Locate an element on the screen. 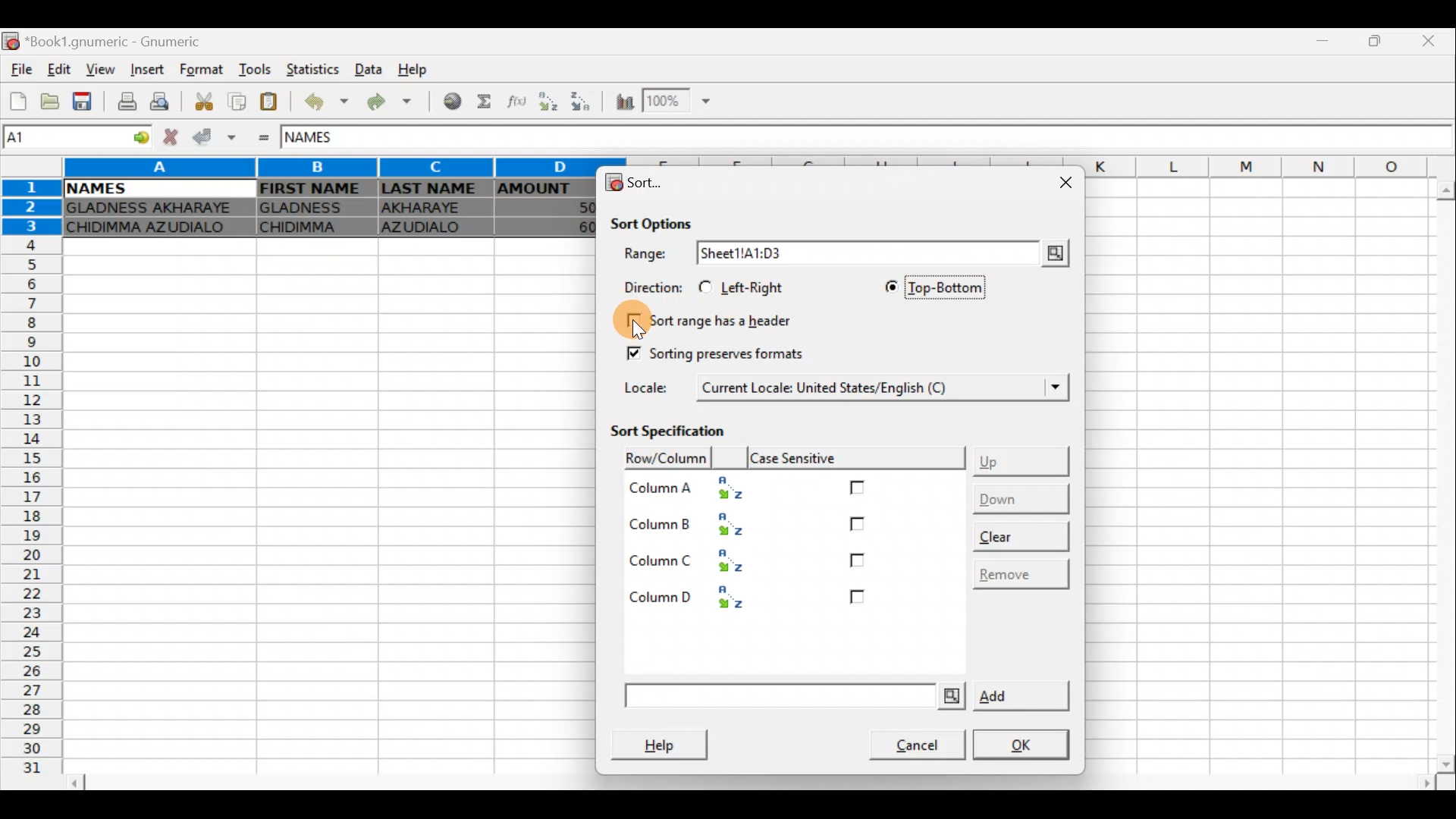 The height and width of the screenshot is (819, 1456). Sort options is located at coordinates (663, 221).